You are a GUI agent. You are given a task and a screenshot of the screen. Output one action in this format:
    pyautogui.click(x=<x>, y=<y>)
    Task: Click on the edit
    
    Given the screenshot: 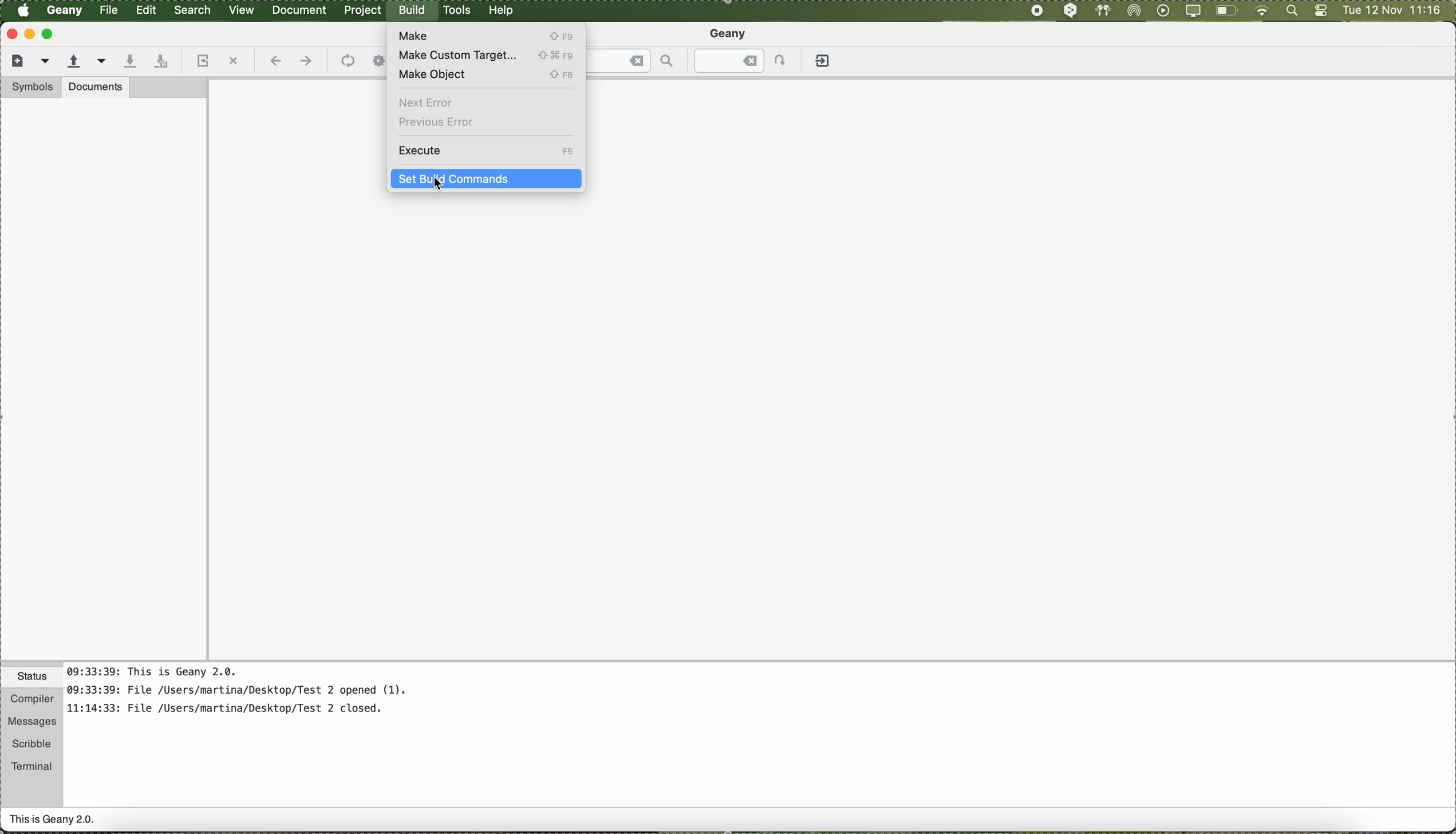 What is the action you would take?
    pyautogui.click(x=145, y=9)
    